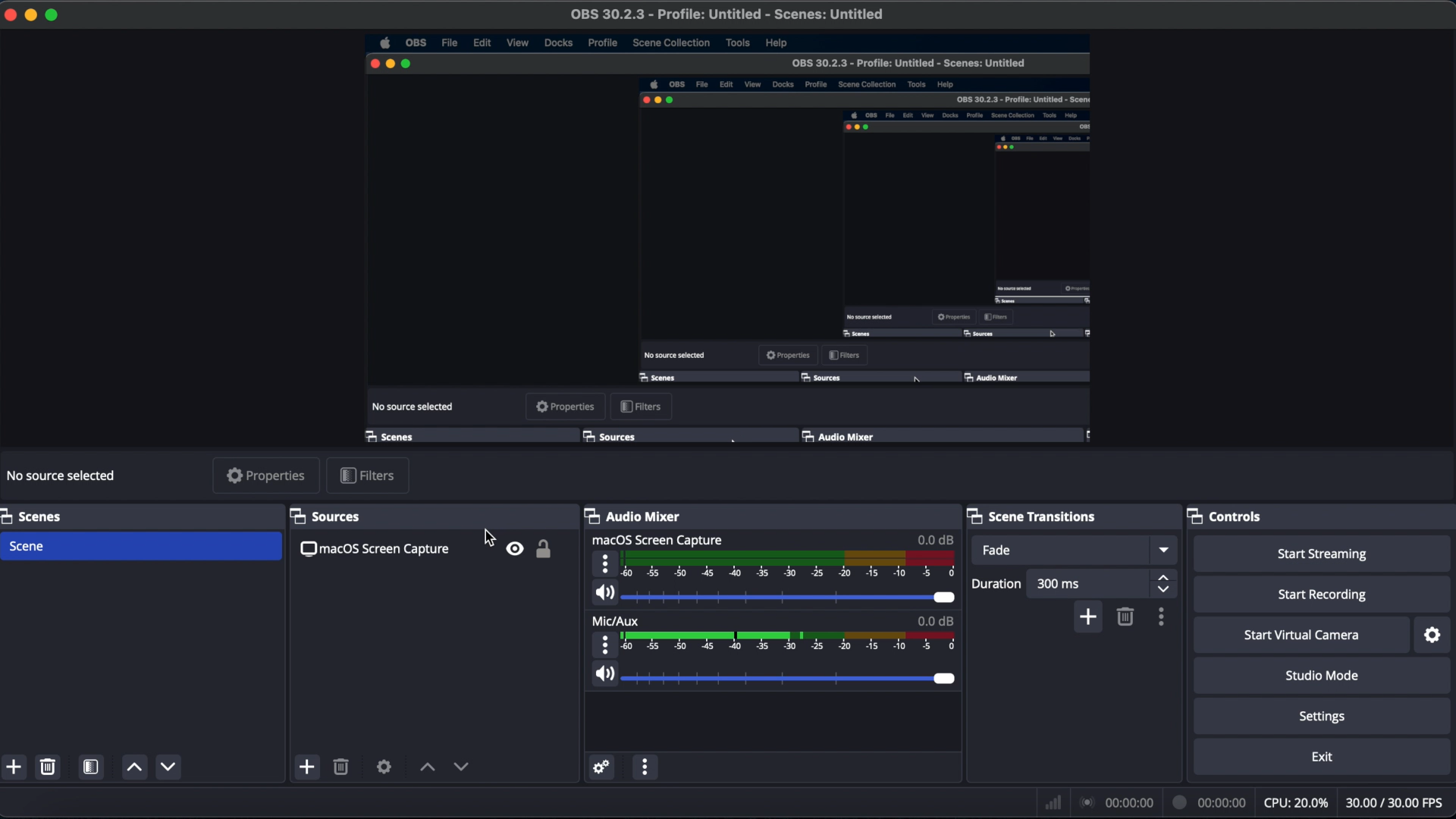 The image size is (1456, 819). What do you see at coordinates (935, 620) in the screenshot?
I see `0.0dB` at bounding box center [935, 620].